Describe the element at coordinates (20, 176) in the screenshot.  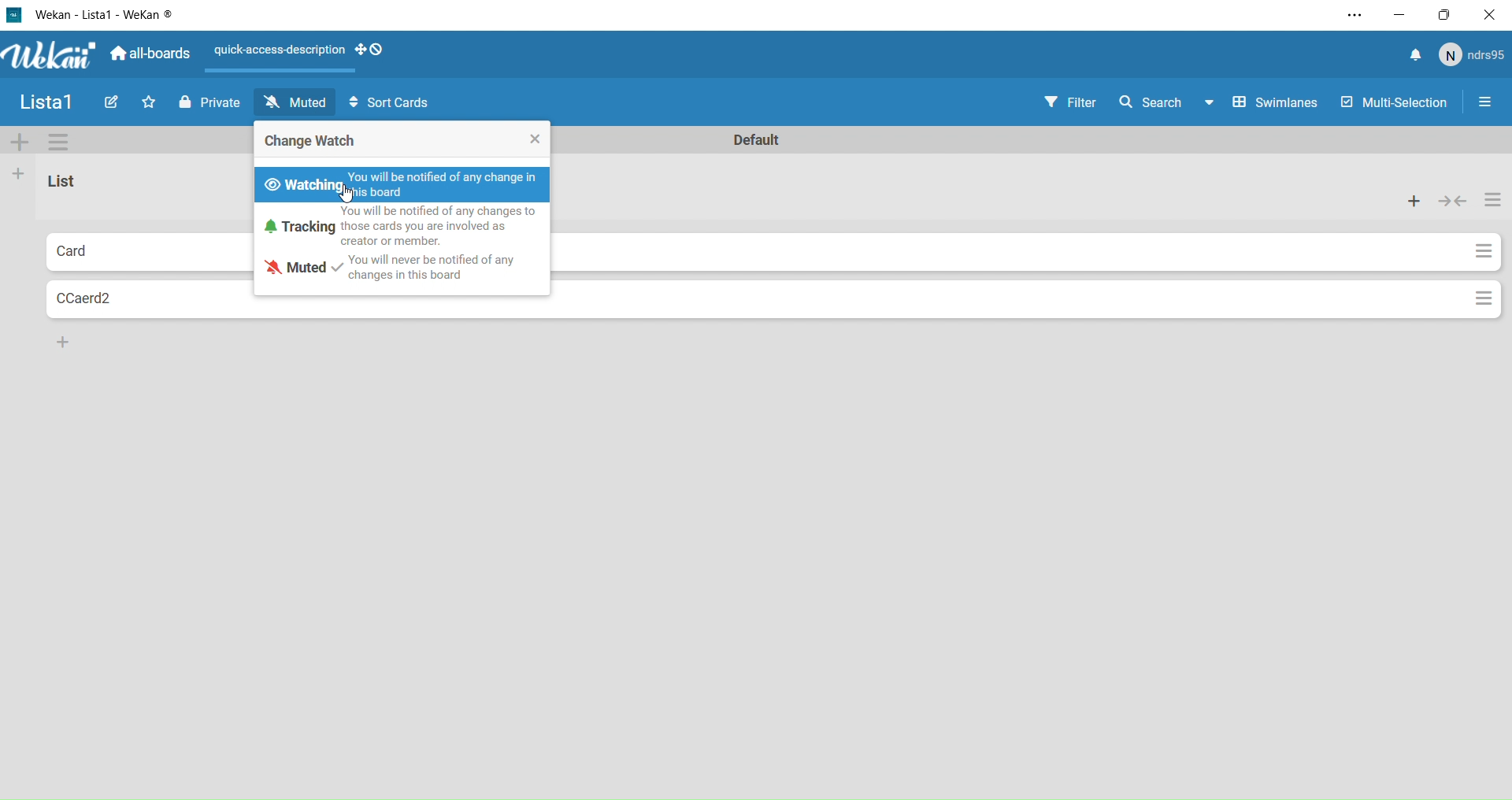
I see `Add` at that location.